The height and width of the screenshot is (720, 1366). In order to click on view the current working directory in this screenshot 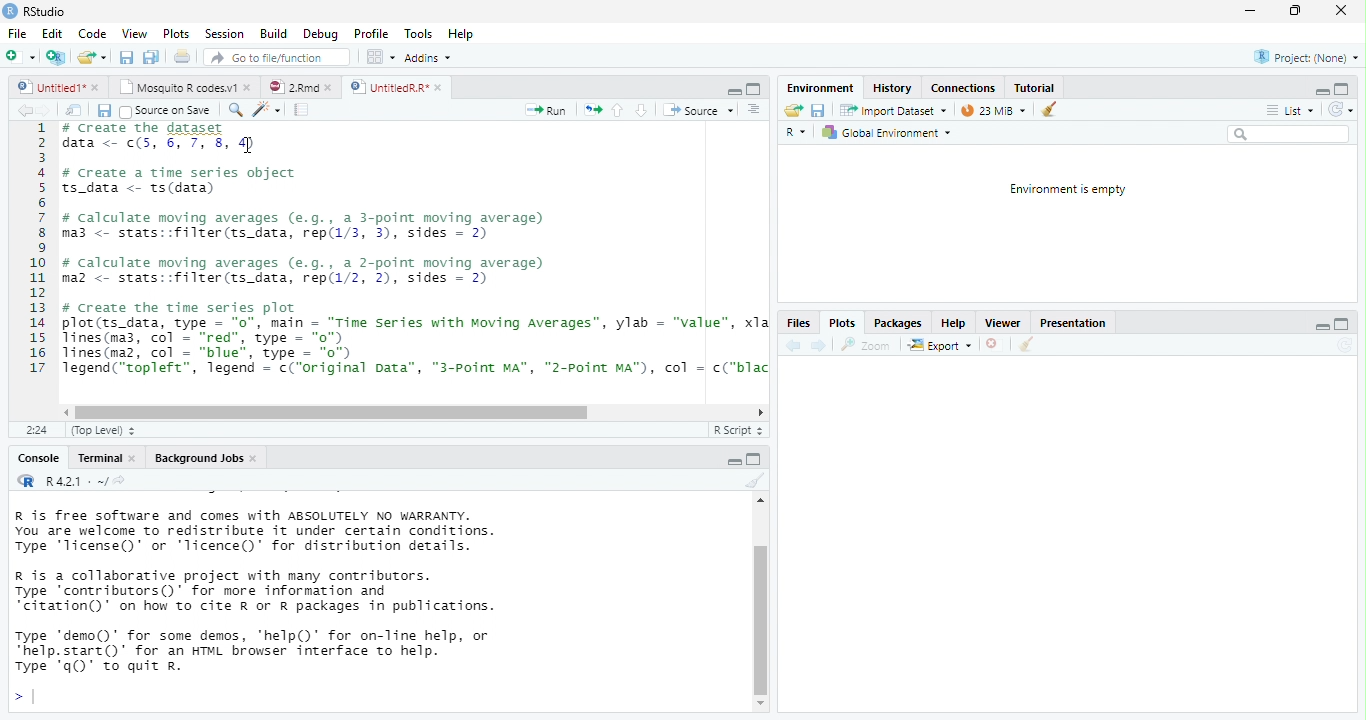, I will do `click(120, 480)`.